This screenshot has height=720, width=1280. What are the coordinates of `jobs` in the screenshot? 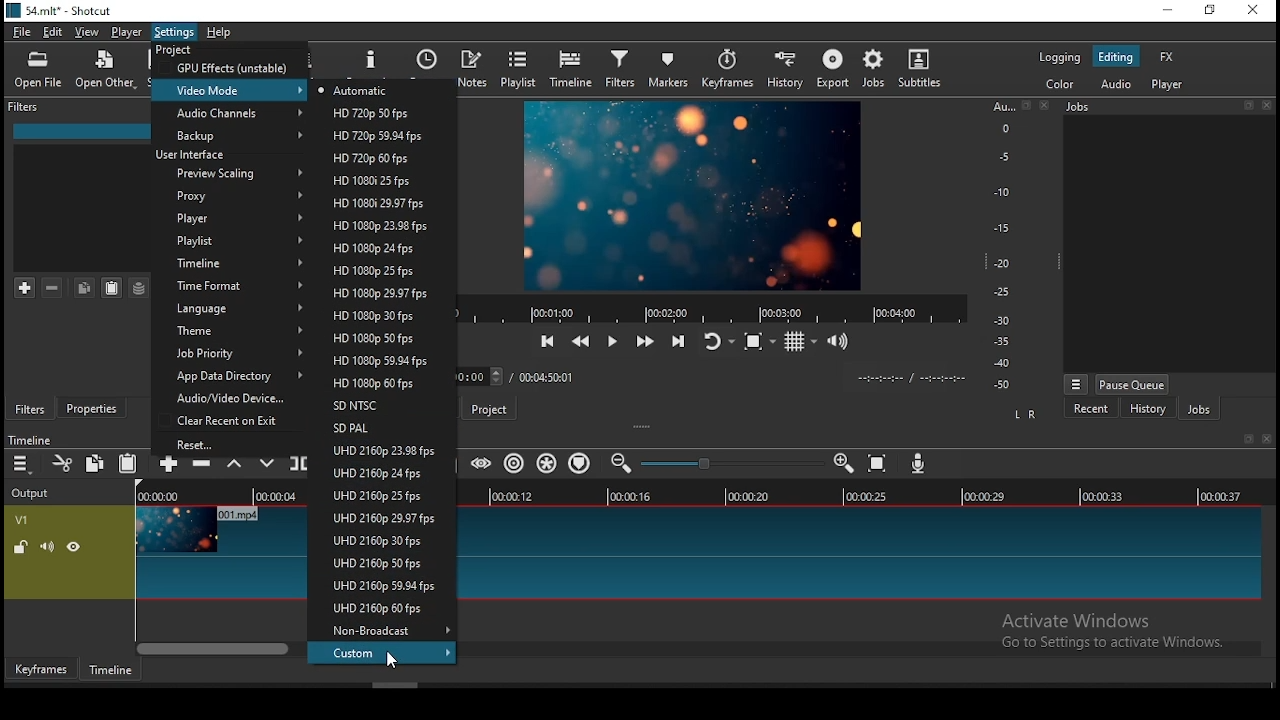 It's located at (1080, 106).